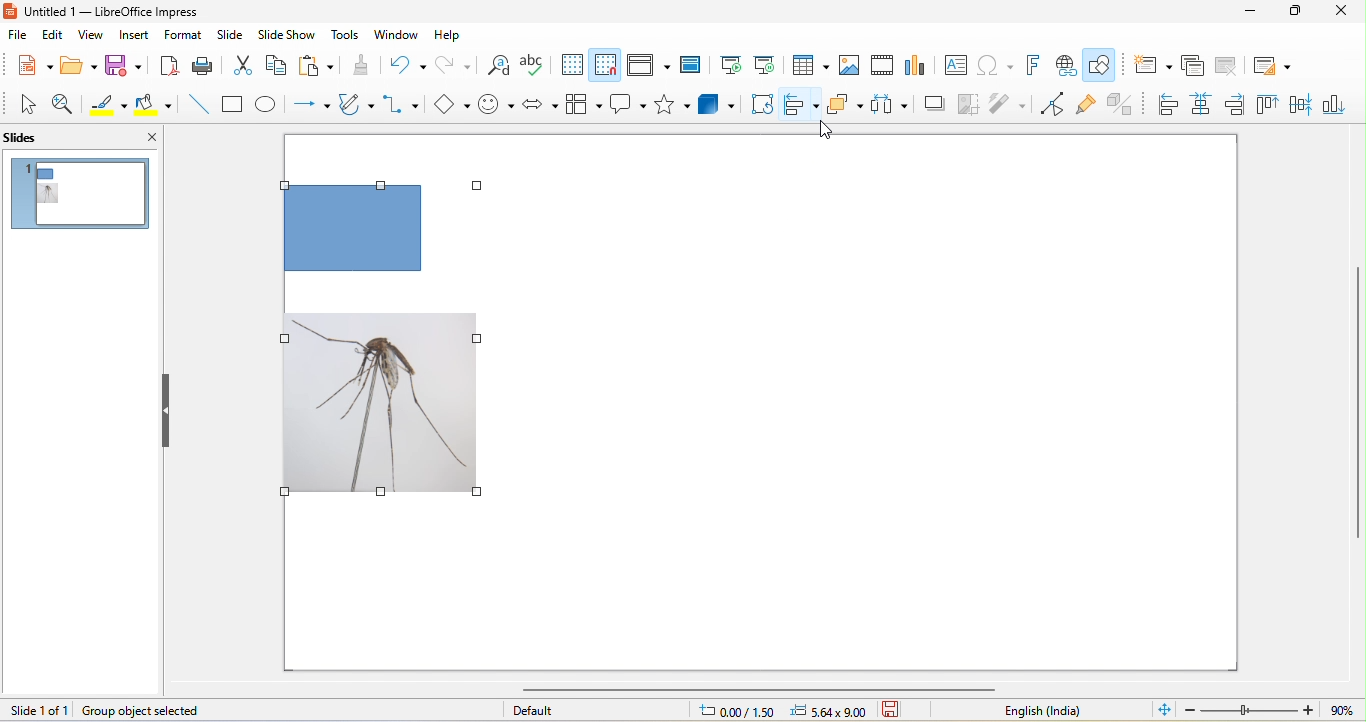 The width and height of the screenshot is (1366, 722). Describe the element at coordinates (995, 65) in the screenshot. I see `special character` at that location.